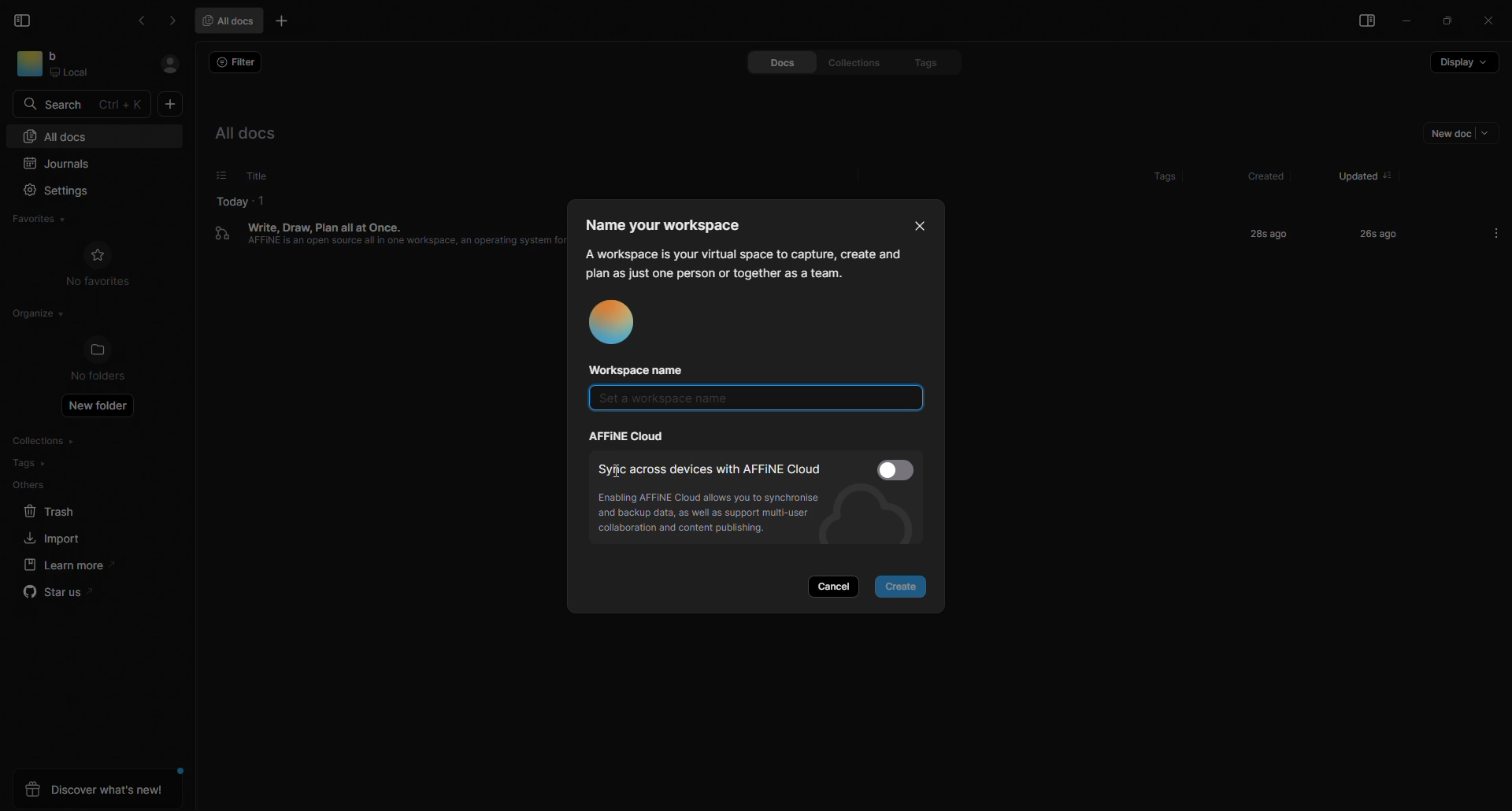 The height and width of the screenshot is (811, 1512). What do you see at coordinates (743, 262) in the screenshot?
I see `info` at bounding box center [743, 262].